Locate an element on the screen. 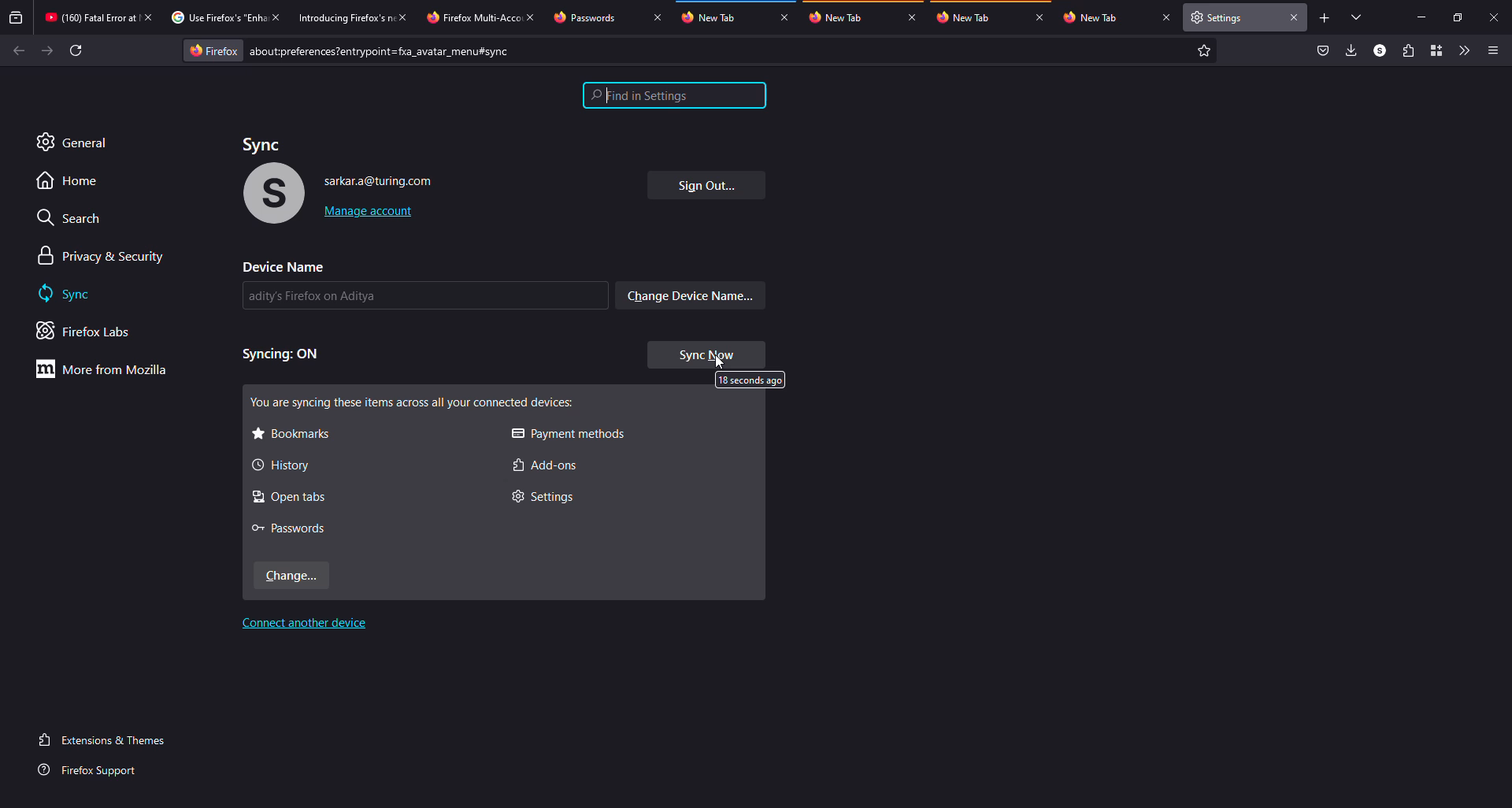 The width and height of the screenshot is (1512, 808). forward is located at coordinates (50, 50).